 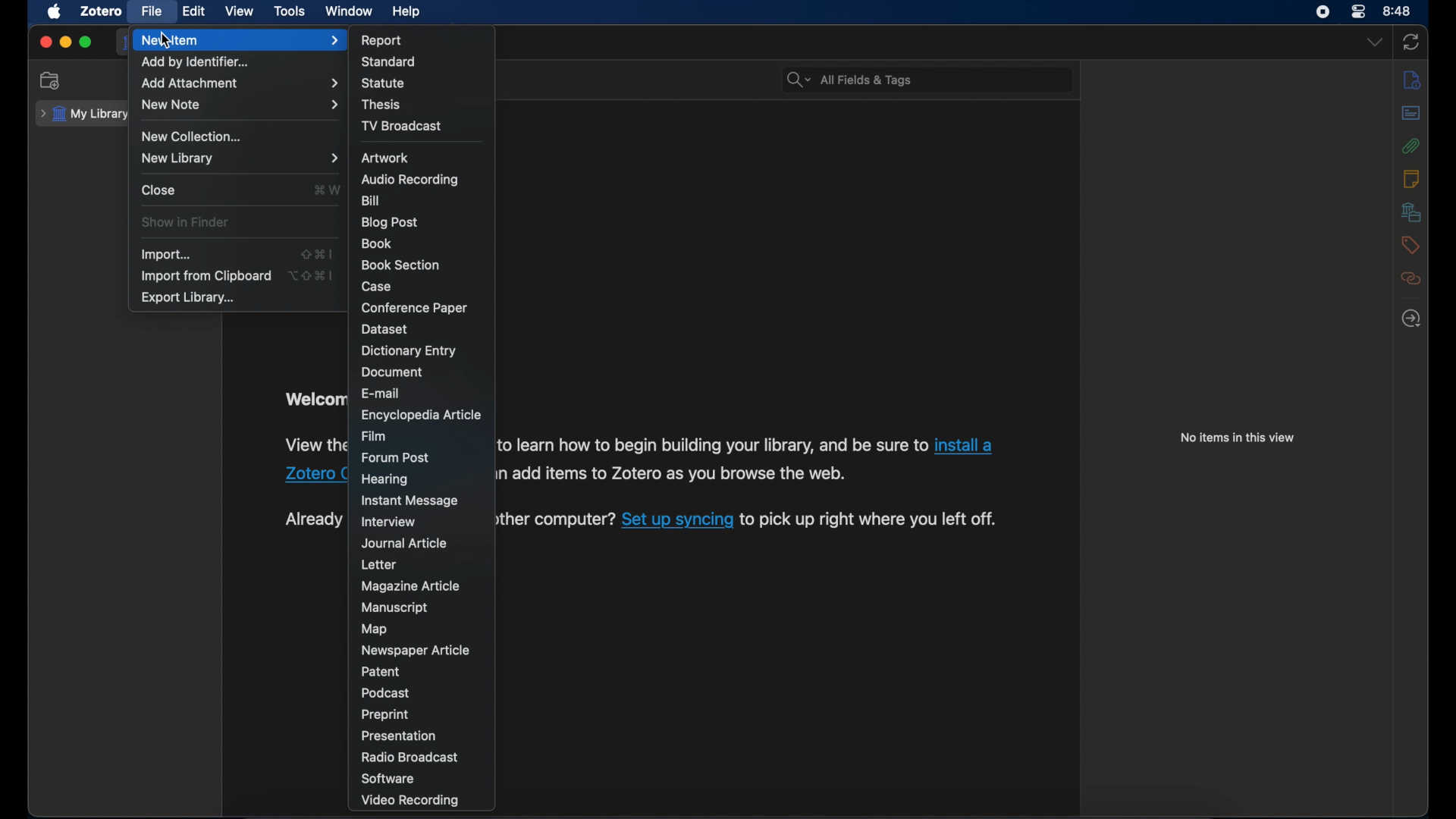 I want to click on close, so click(x=45, y=41).